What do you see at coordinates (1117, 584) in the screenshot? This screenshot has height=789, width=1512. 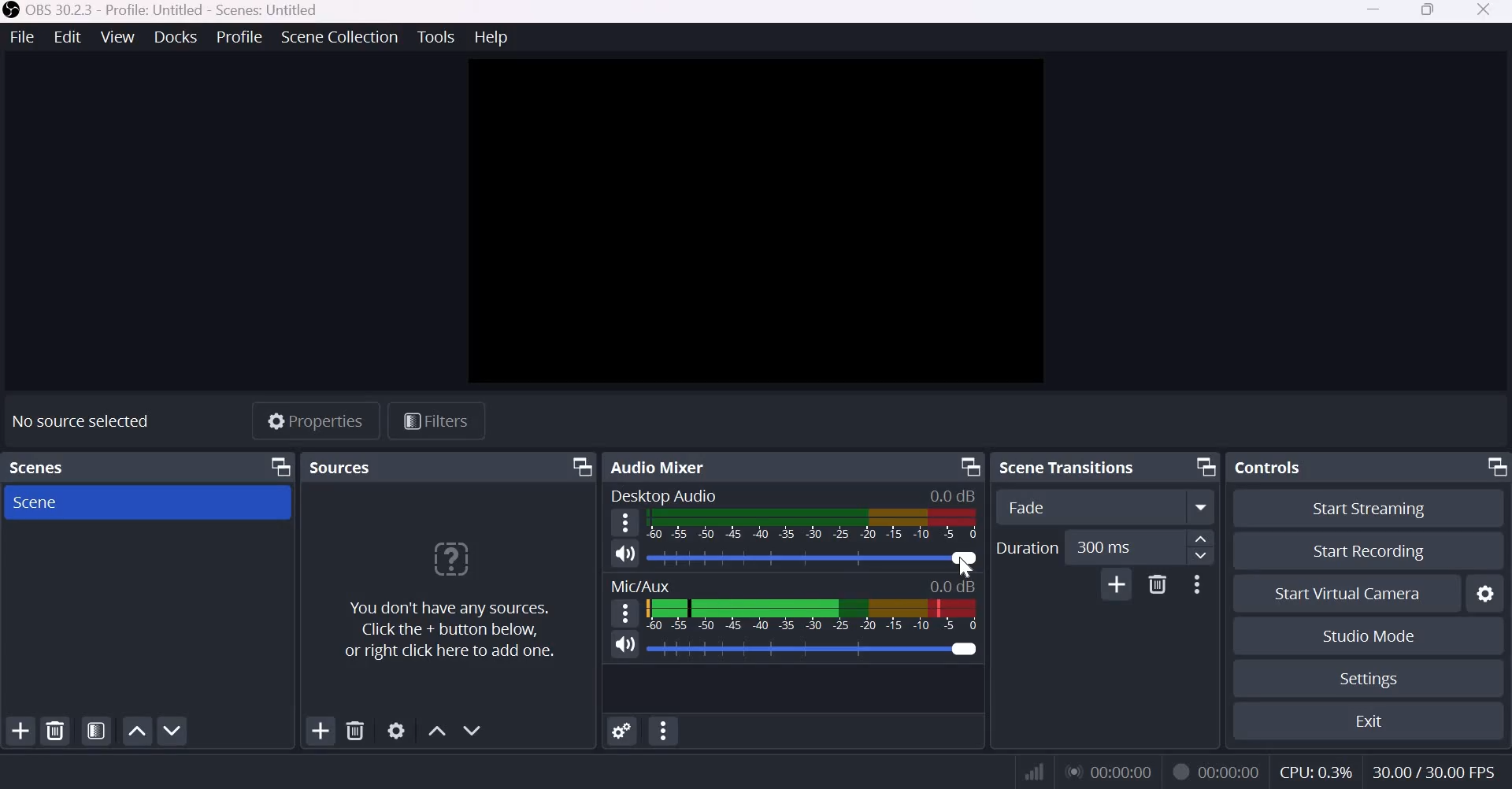 I see `Add Transition` at bounding box center [1117, 584].